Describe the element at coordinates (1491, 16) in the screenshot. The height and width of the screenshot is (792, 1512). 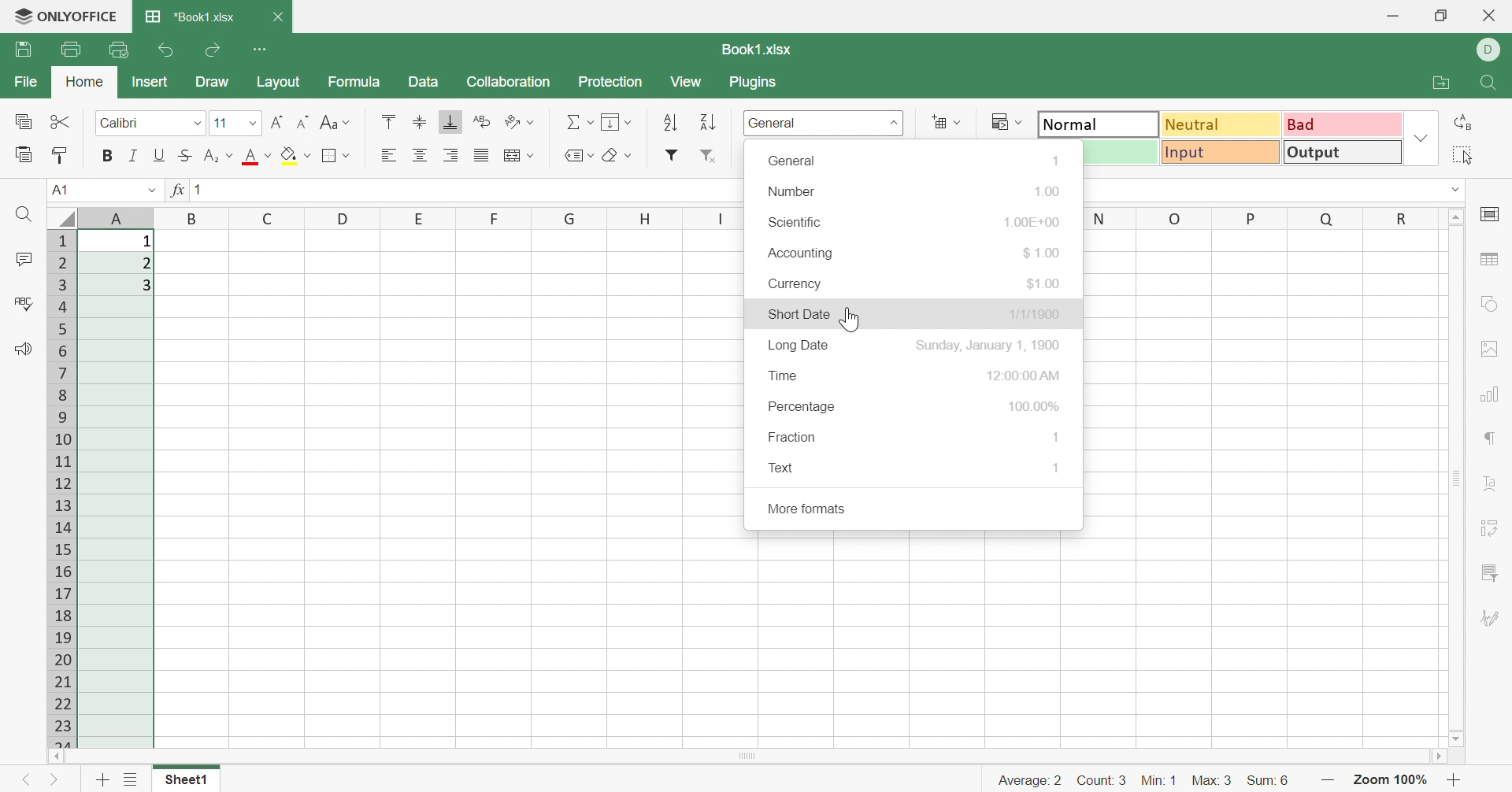
I see `Close` at that location.